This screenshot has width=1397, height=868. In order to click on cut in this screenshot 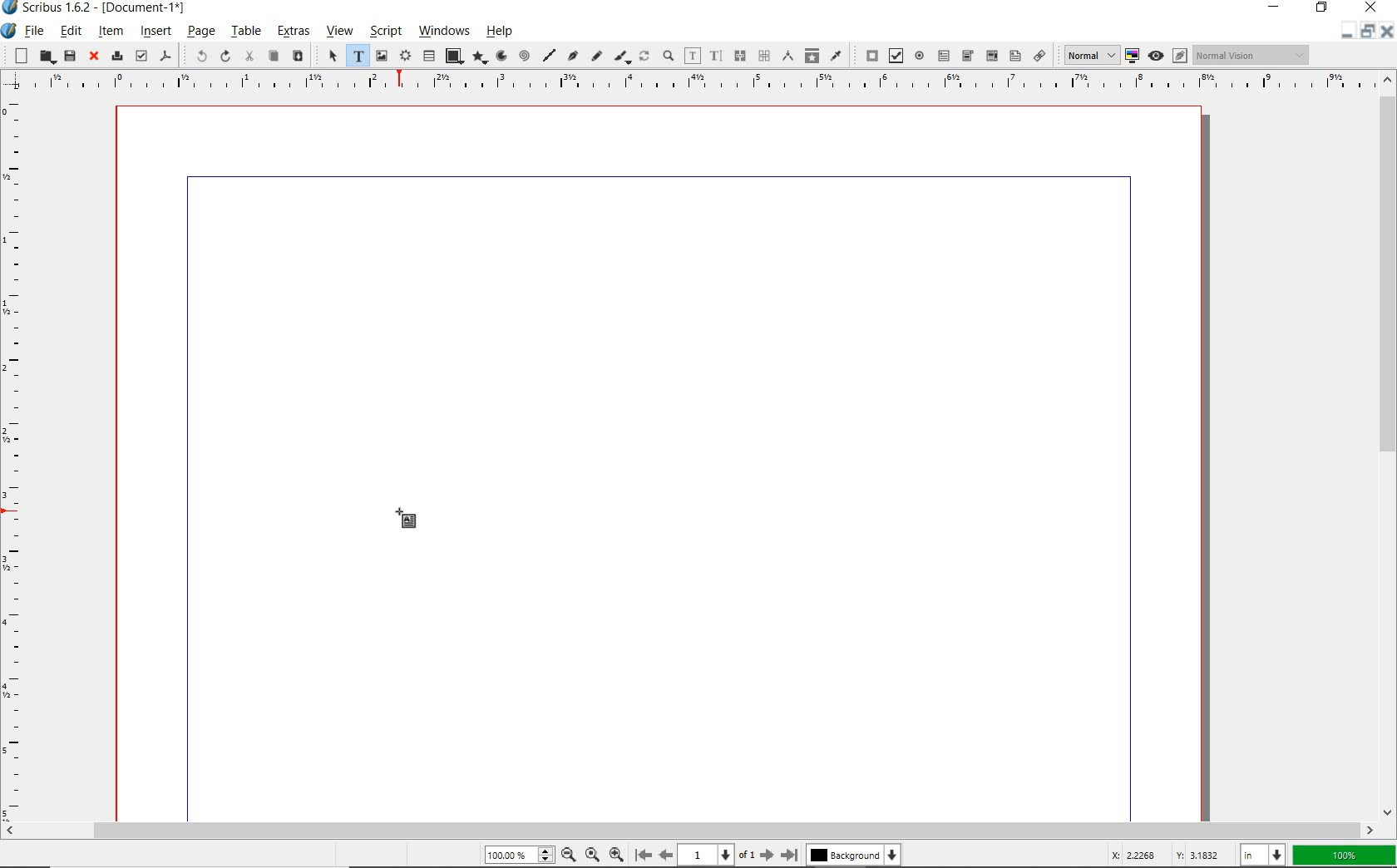, I will do `click(249, 57)`.